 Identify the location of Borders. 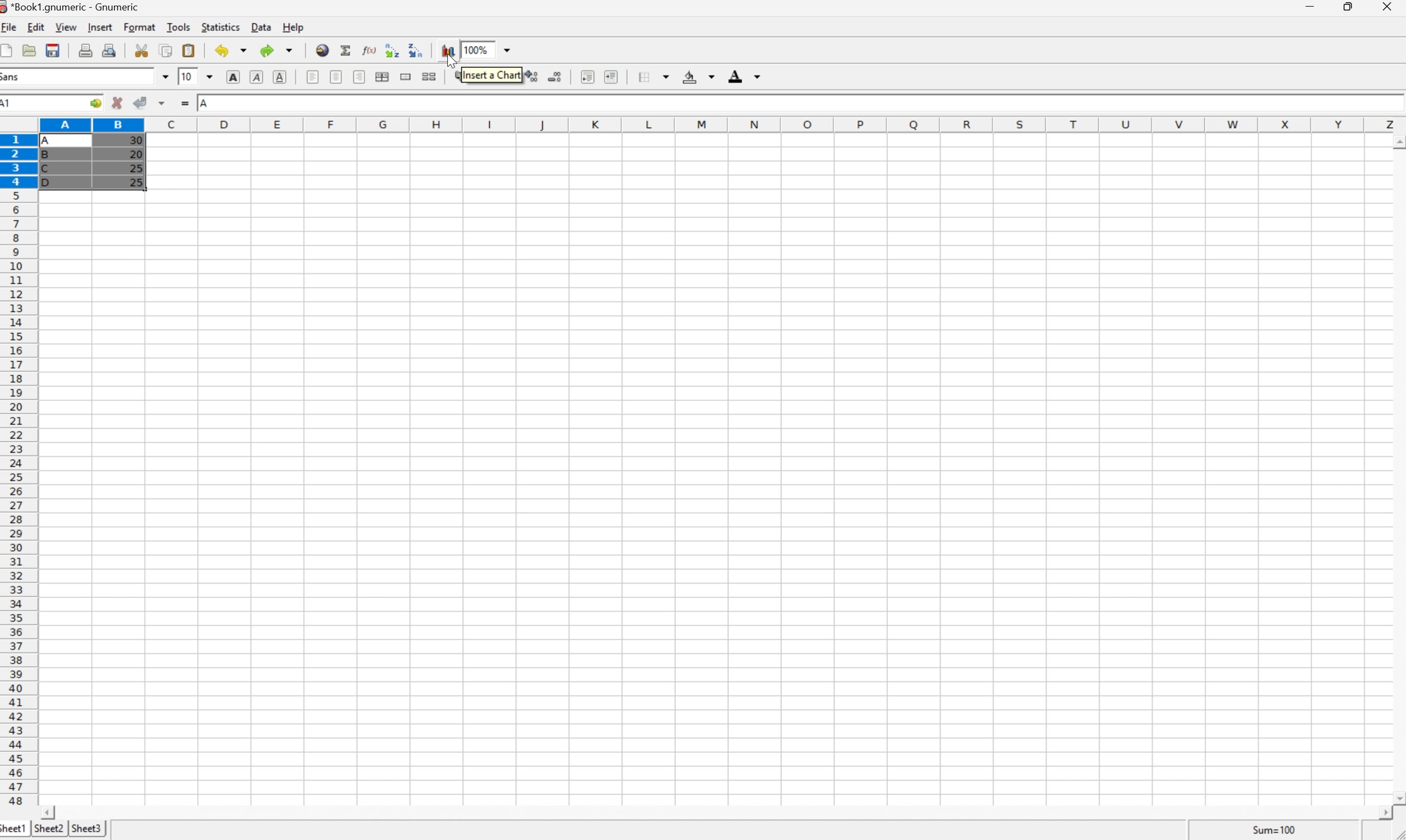
(649, 76).